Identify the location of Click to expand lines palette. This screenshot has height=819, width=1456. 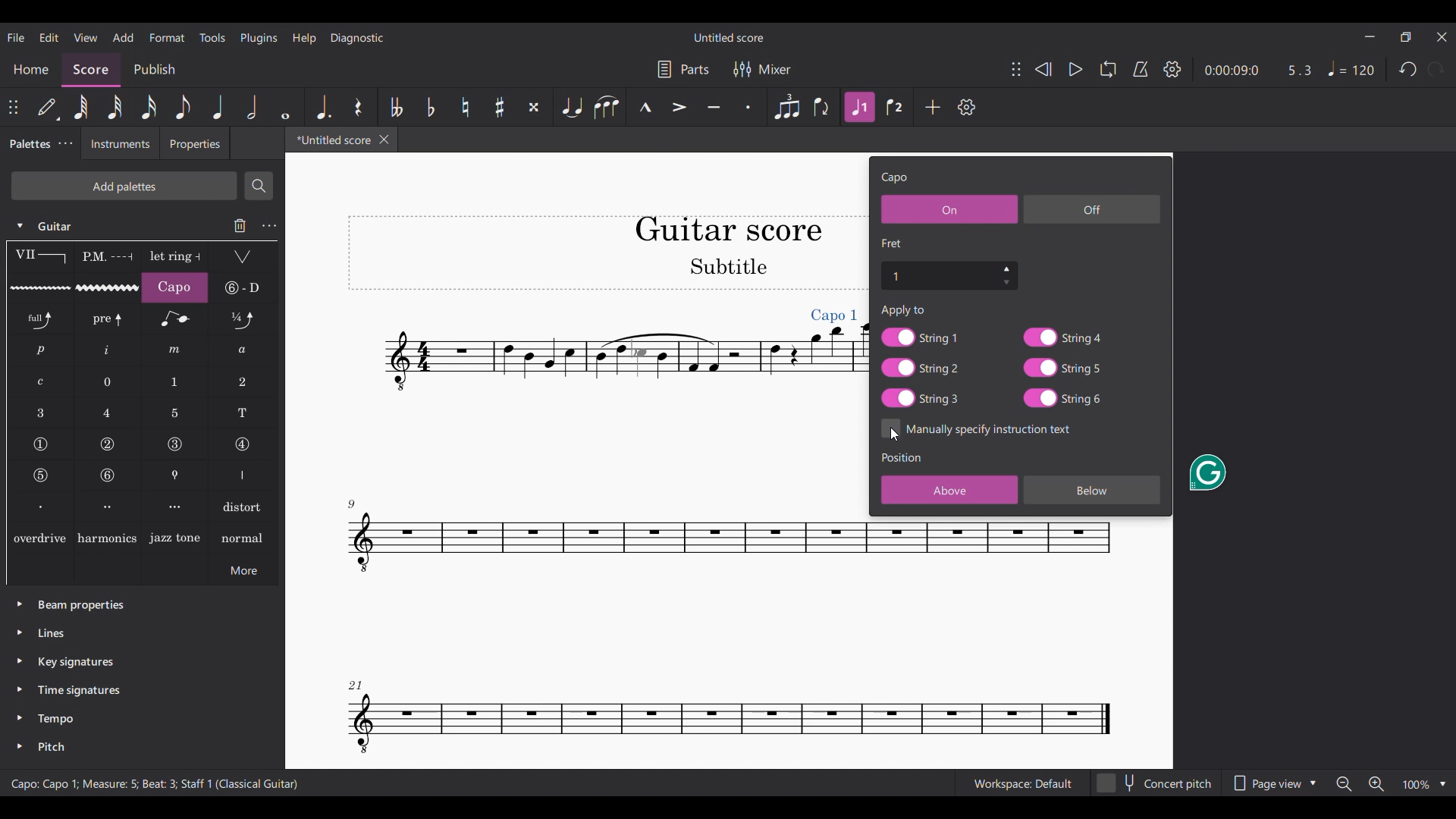
(19, 632).